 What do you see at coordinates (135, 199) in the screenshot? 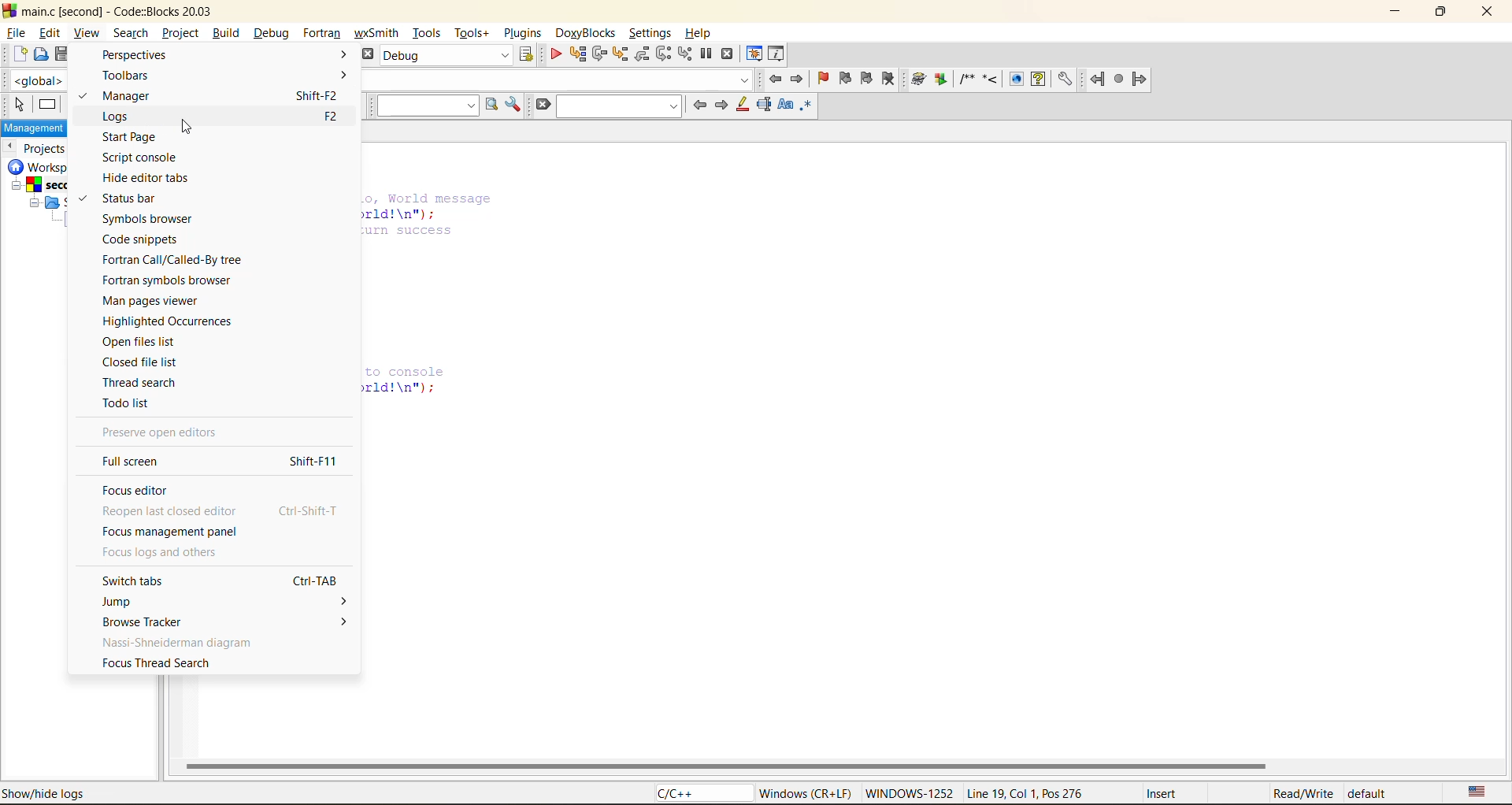
I see `status bar` at bounding box center [135, 199].